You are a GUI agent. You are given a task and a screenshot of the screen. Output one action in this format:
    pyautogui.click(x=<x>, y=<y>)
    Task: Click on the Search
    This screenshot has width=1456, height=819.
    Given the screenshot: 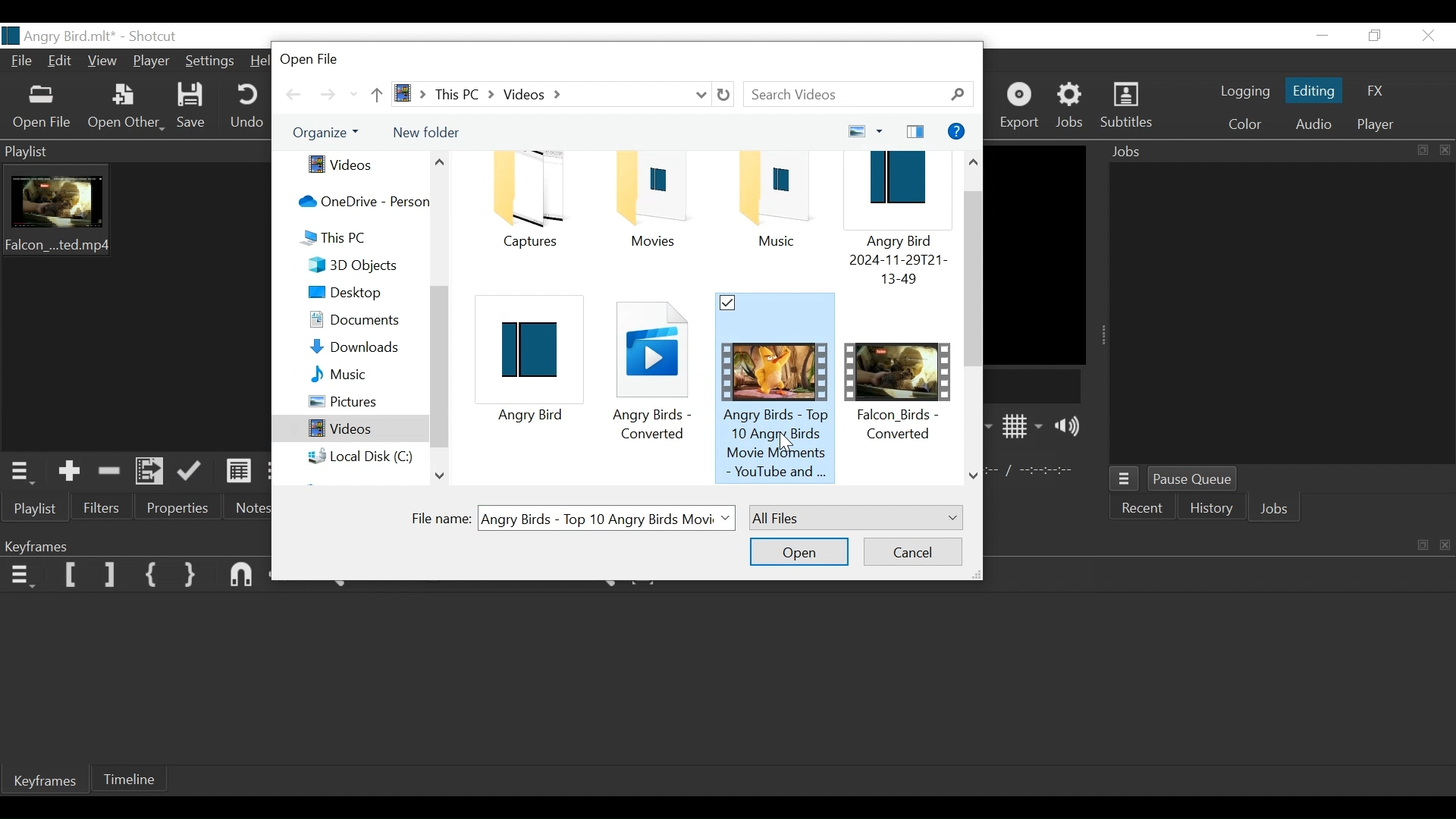 What is the action you would take?
    pyautogui.click(x=861, y=96)
    